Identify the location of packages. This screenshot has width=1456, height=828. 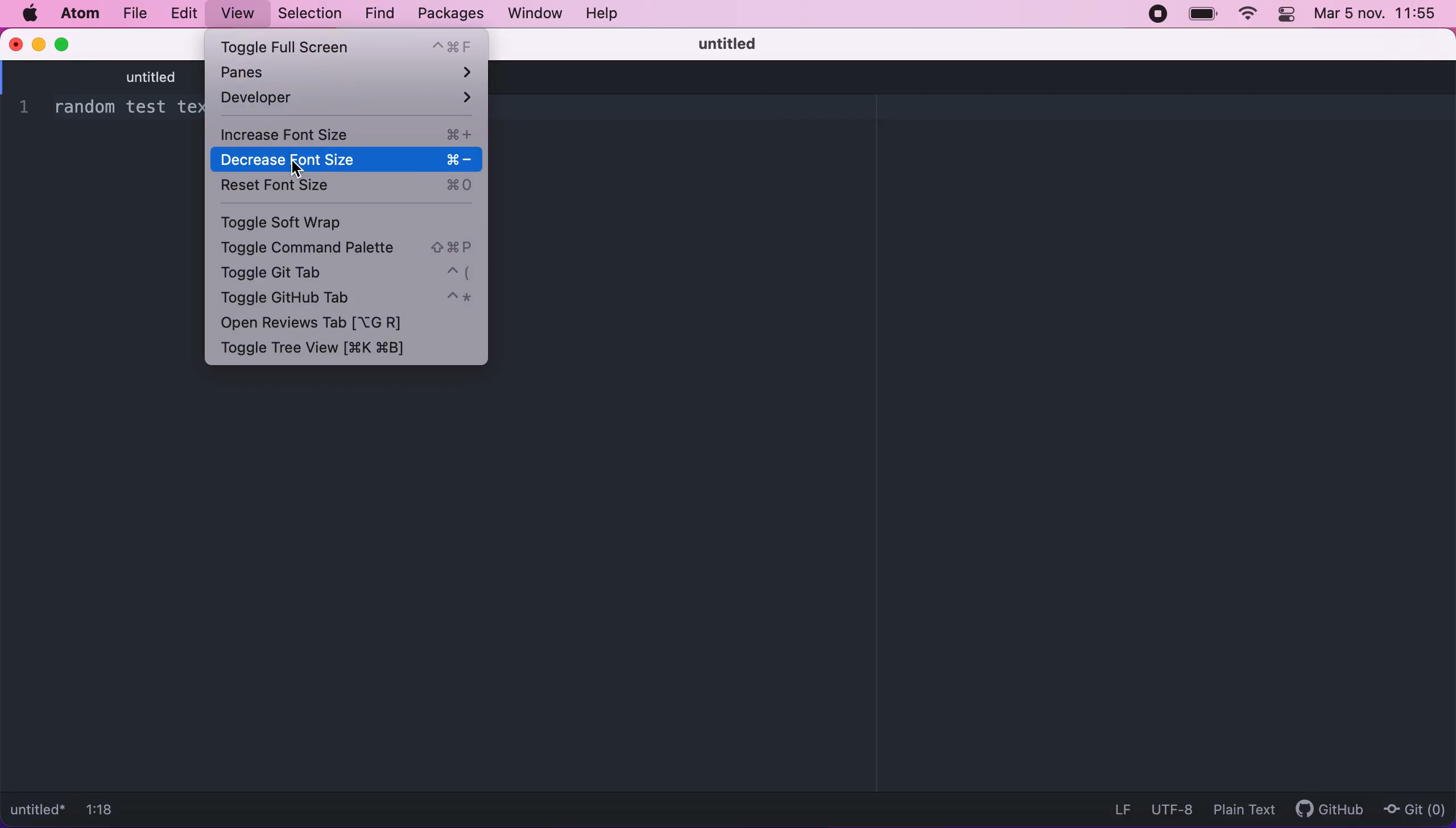
(449, 14).